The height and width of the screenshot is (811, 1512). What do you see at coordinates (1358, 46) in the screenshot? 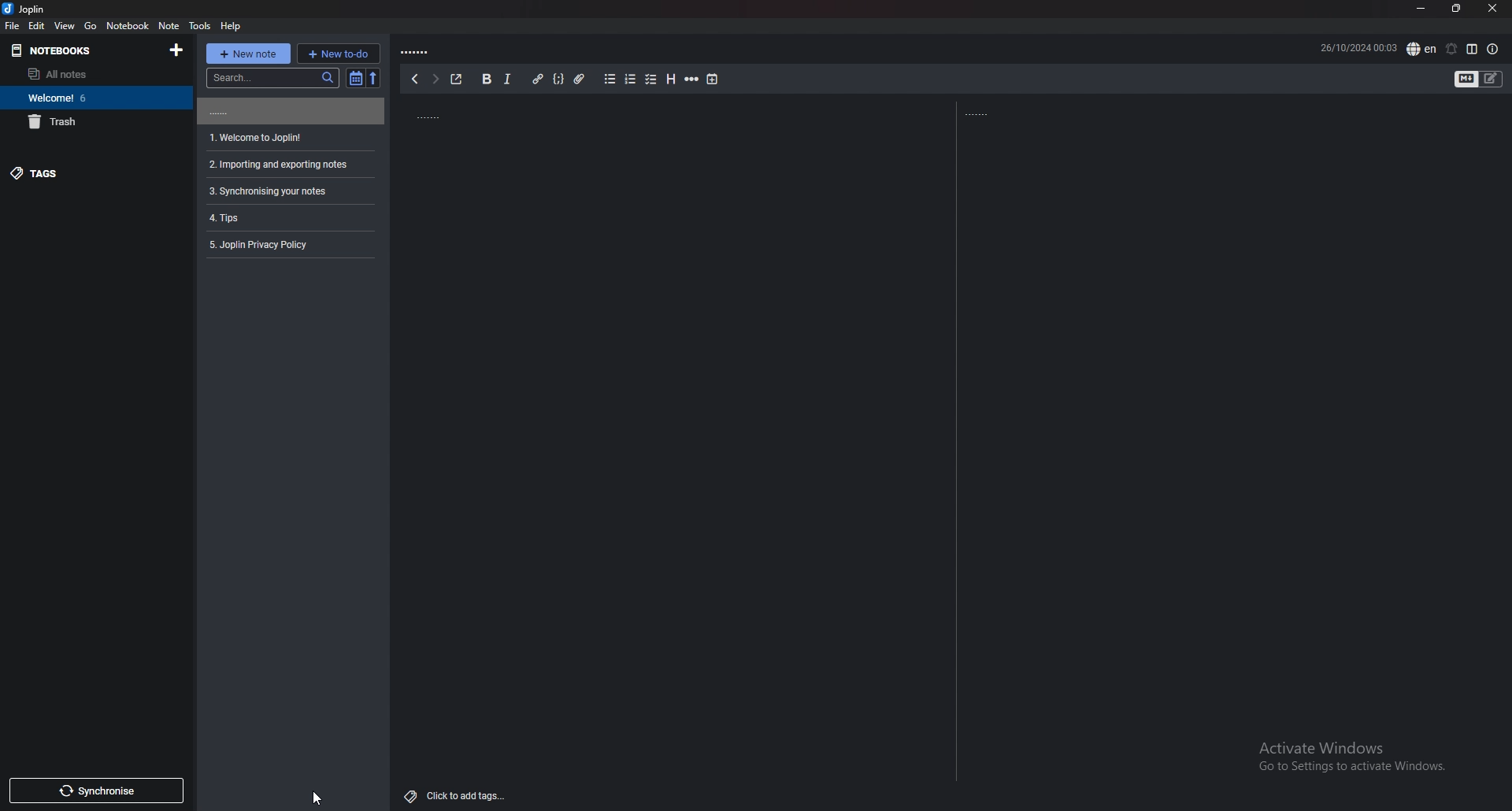
I see `26/10/2024 00:03` at bounding box center [1358, 46].